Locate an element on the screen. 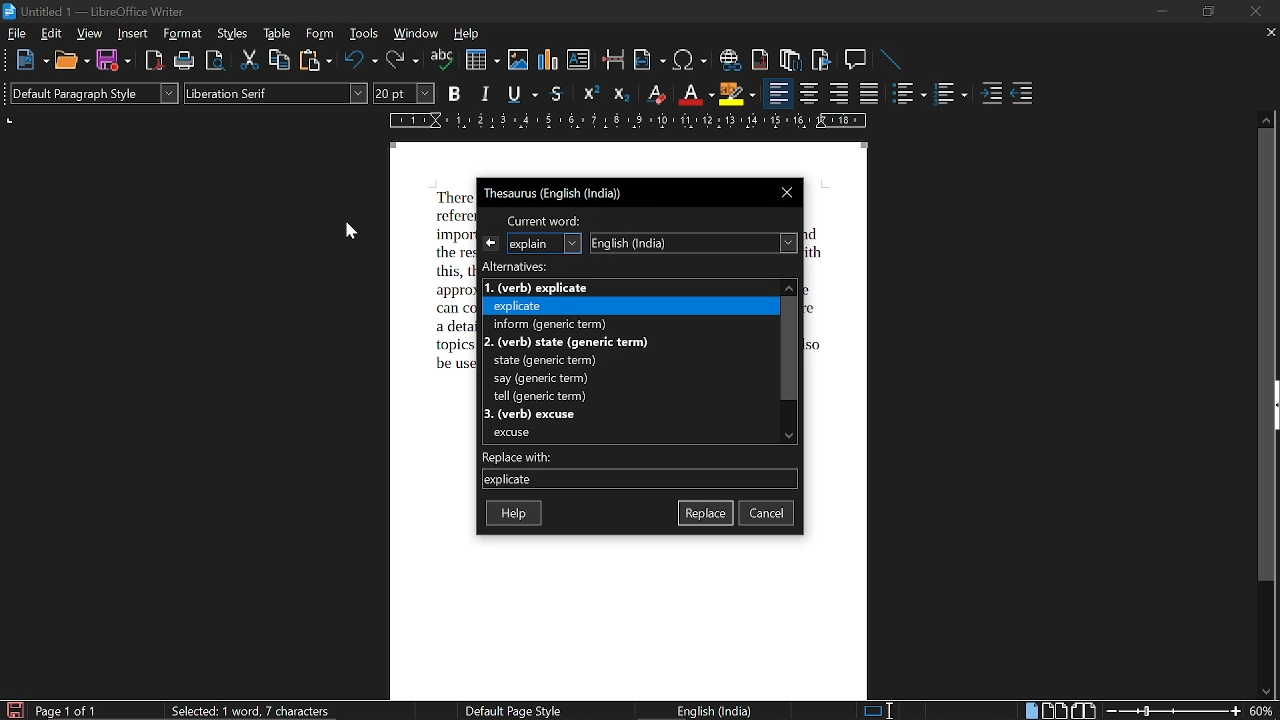 This screenshot has height=720, width=1280. save is located at coordinates (14, 710).